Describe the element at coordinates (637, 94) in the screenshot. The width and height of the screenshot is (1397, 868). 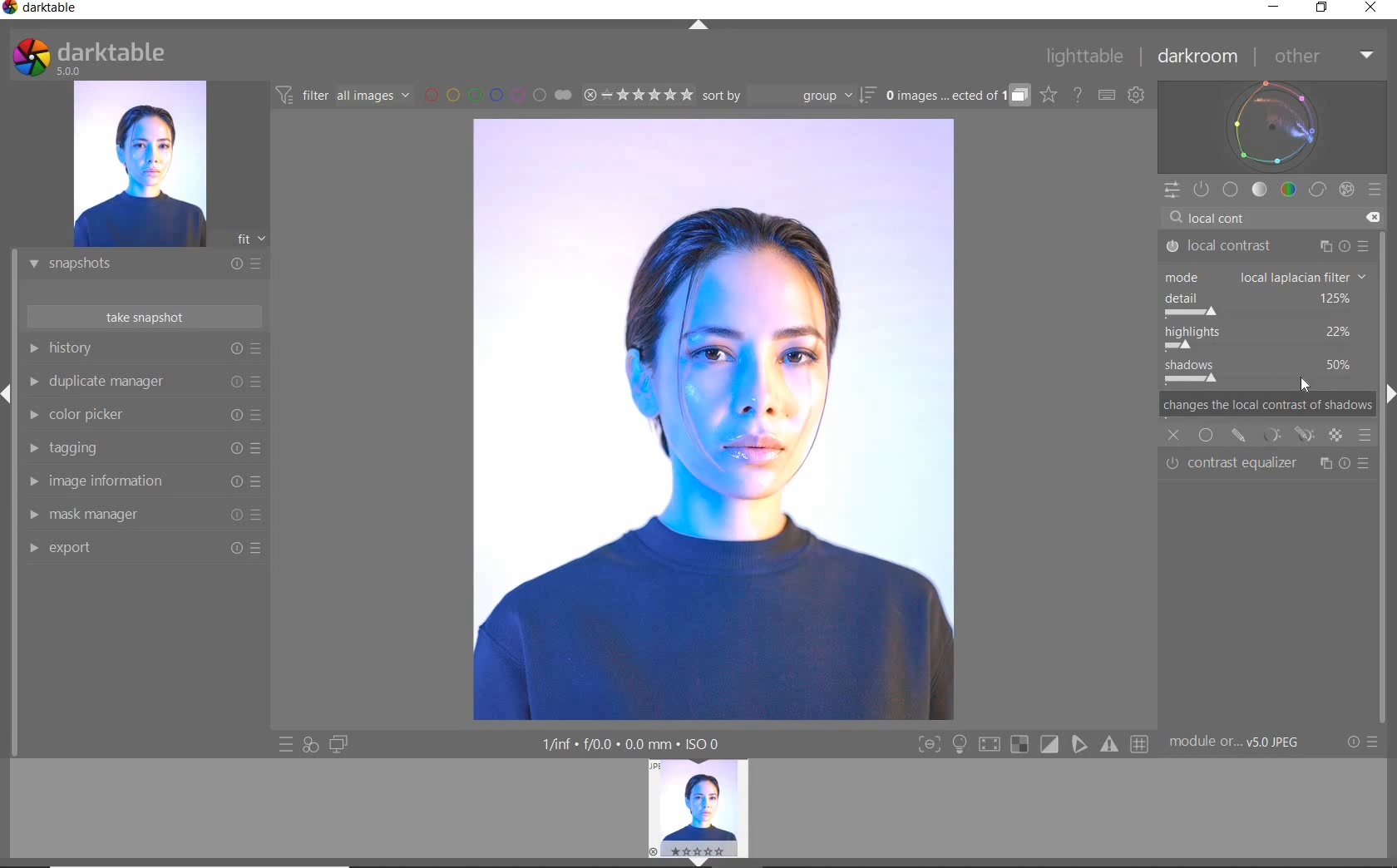
I see `RANGE RATING OF SELECTED IMAGES` at that location.